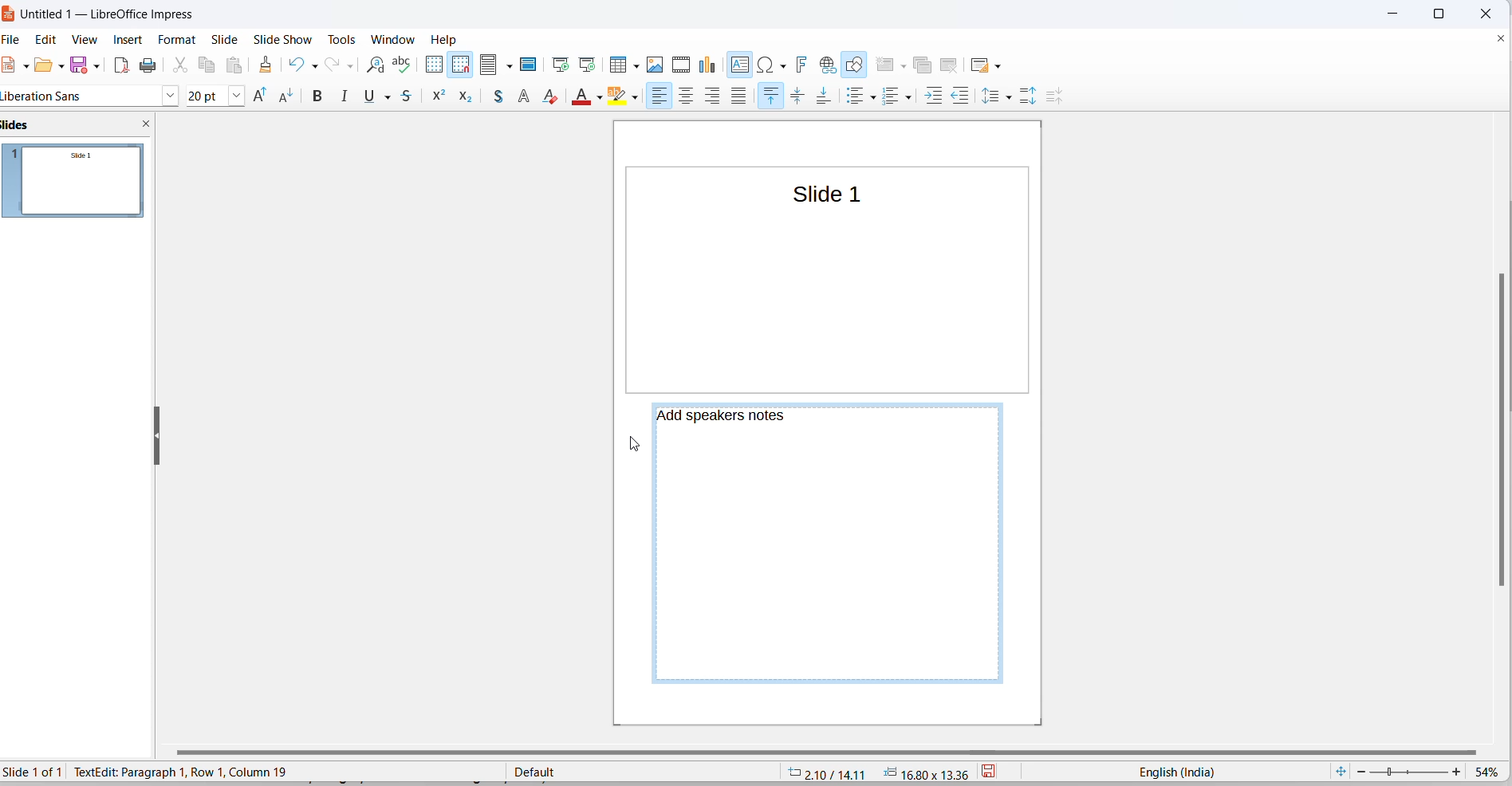  I want to click on snap to grid, so click(460, 65).